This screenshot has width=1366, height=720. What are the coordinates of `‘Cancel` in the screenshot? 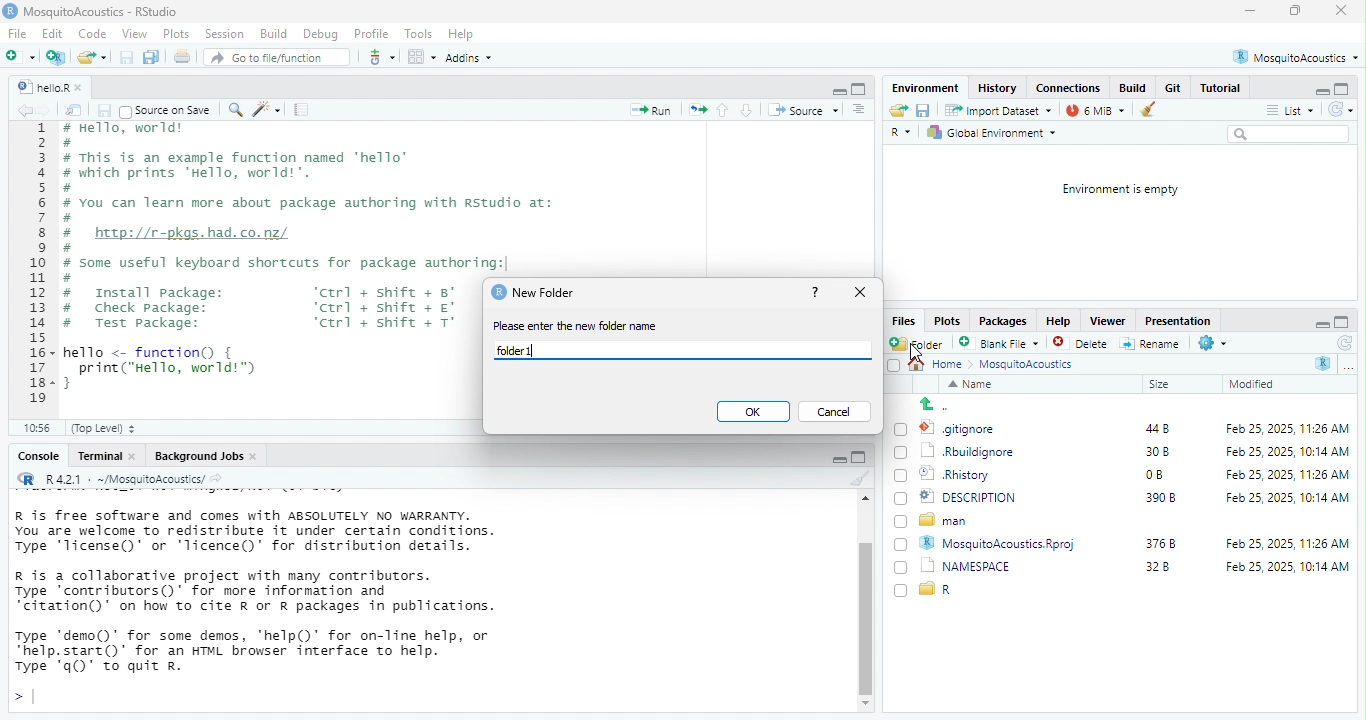 It's located at (833, 411).